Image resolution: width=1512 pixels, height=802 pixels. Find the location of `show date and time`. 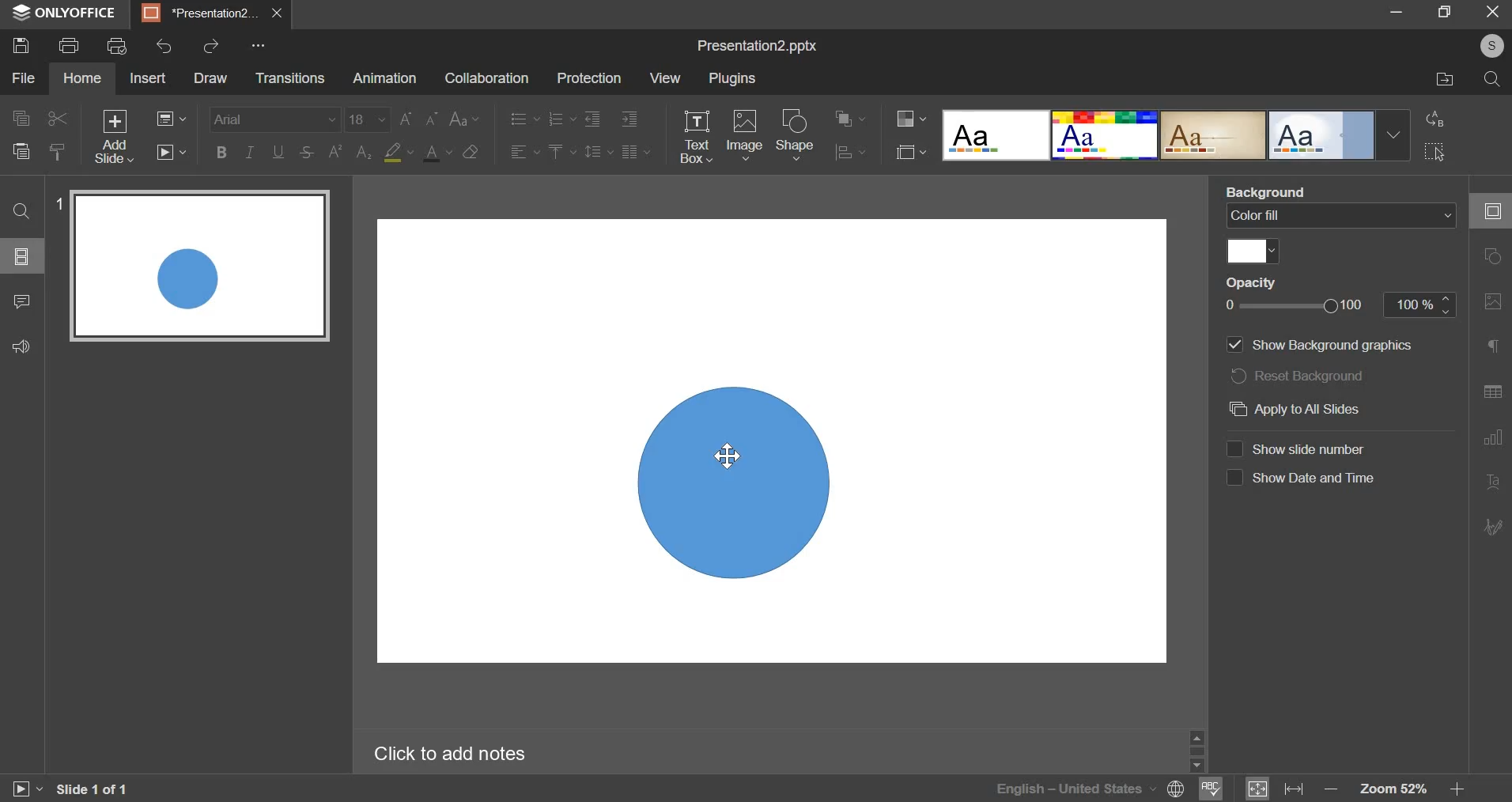

show date and time is located at coordinates (1300, 477).